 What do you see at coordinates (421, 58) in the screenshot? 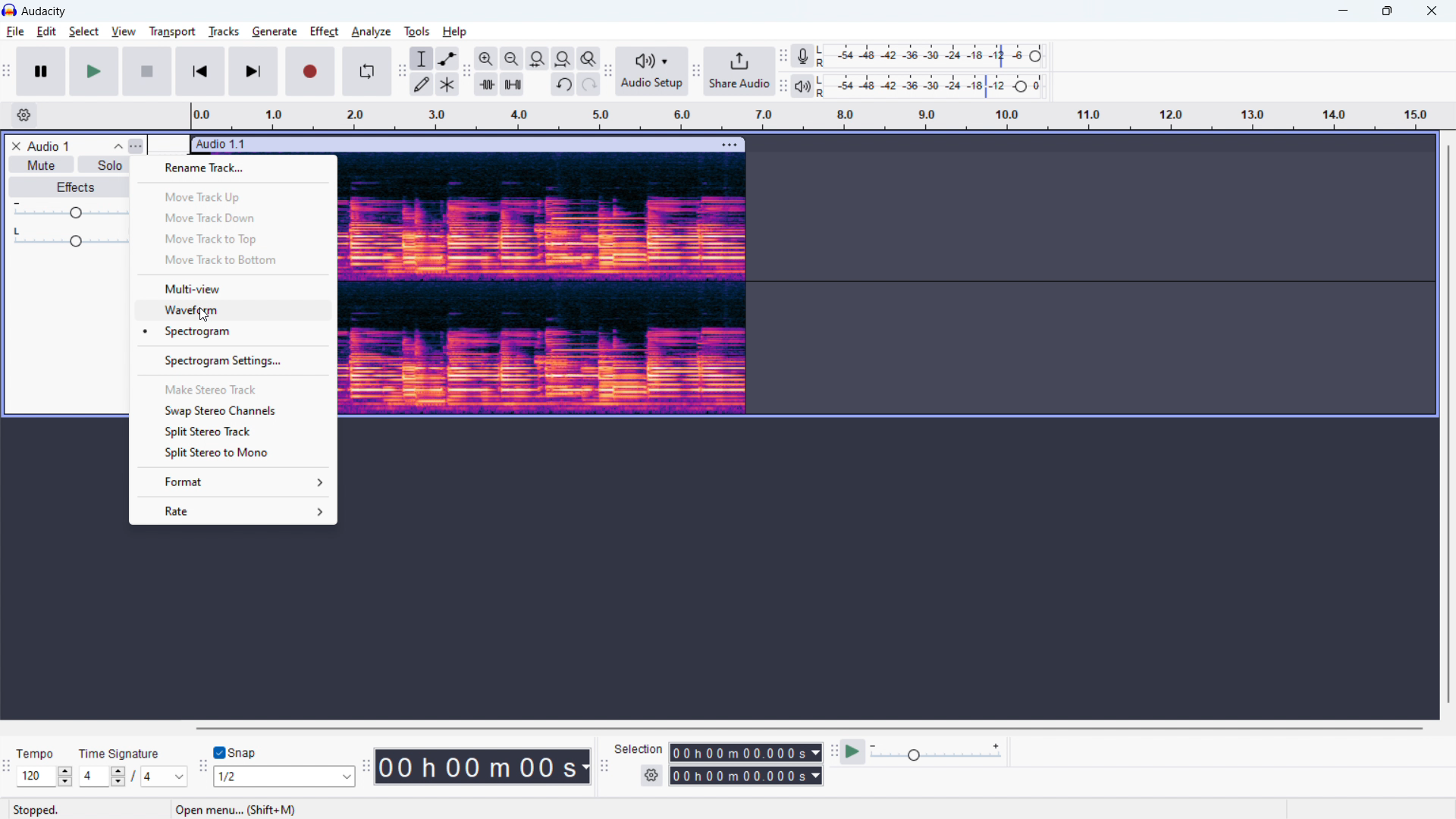
I see `selection tool` at bounding box center [421, 58].